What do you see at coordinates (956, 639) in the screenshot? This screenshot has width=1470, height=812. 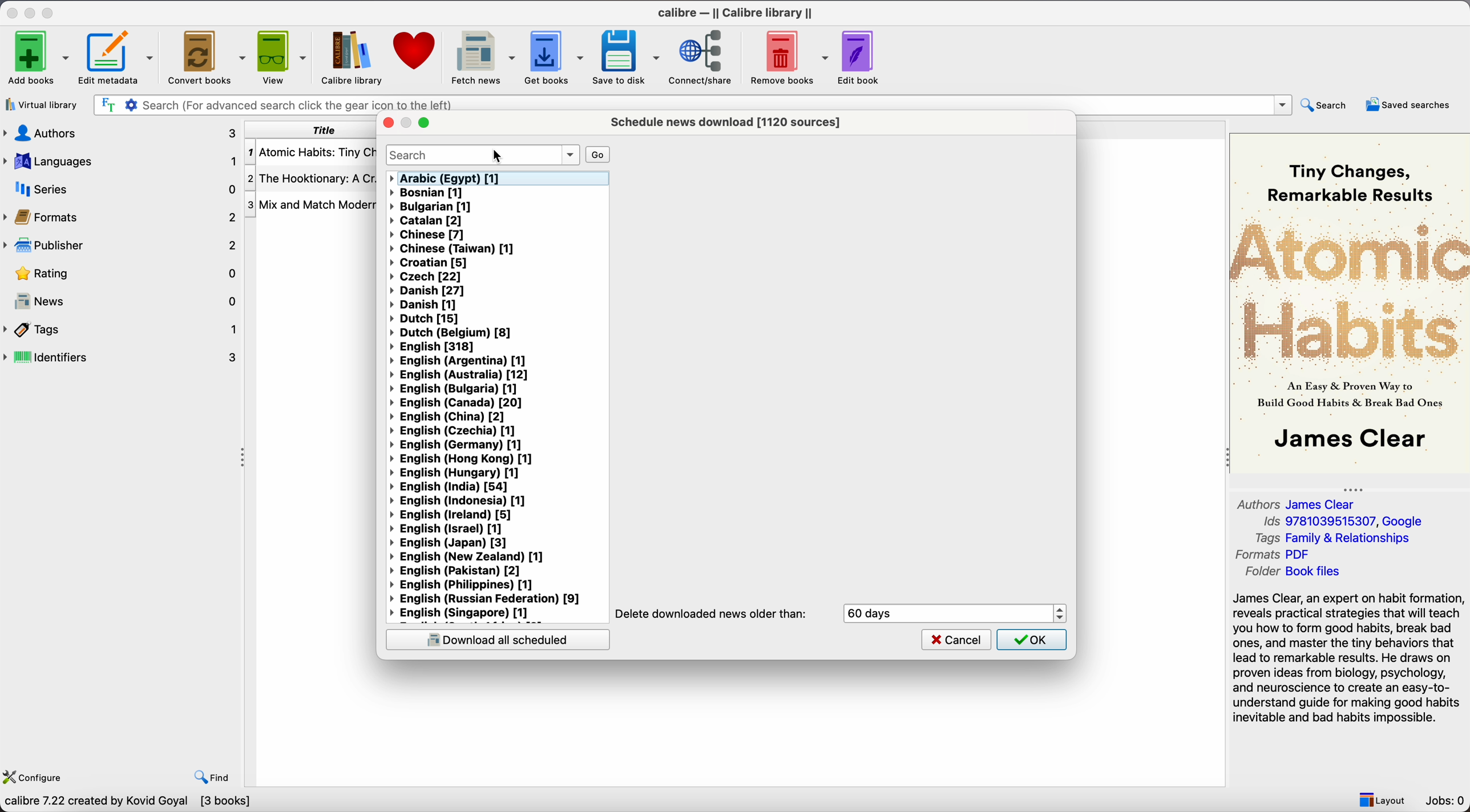 I see `cancel` at bounding box center [956, 639].